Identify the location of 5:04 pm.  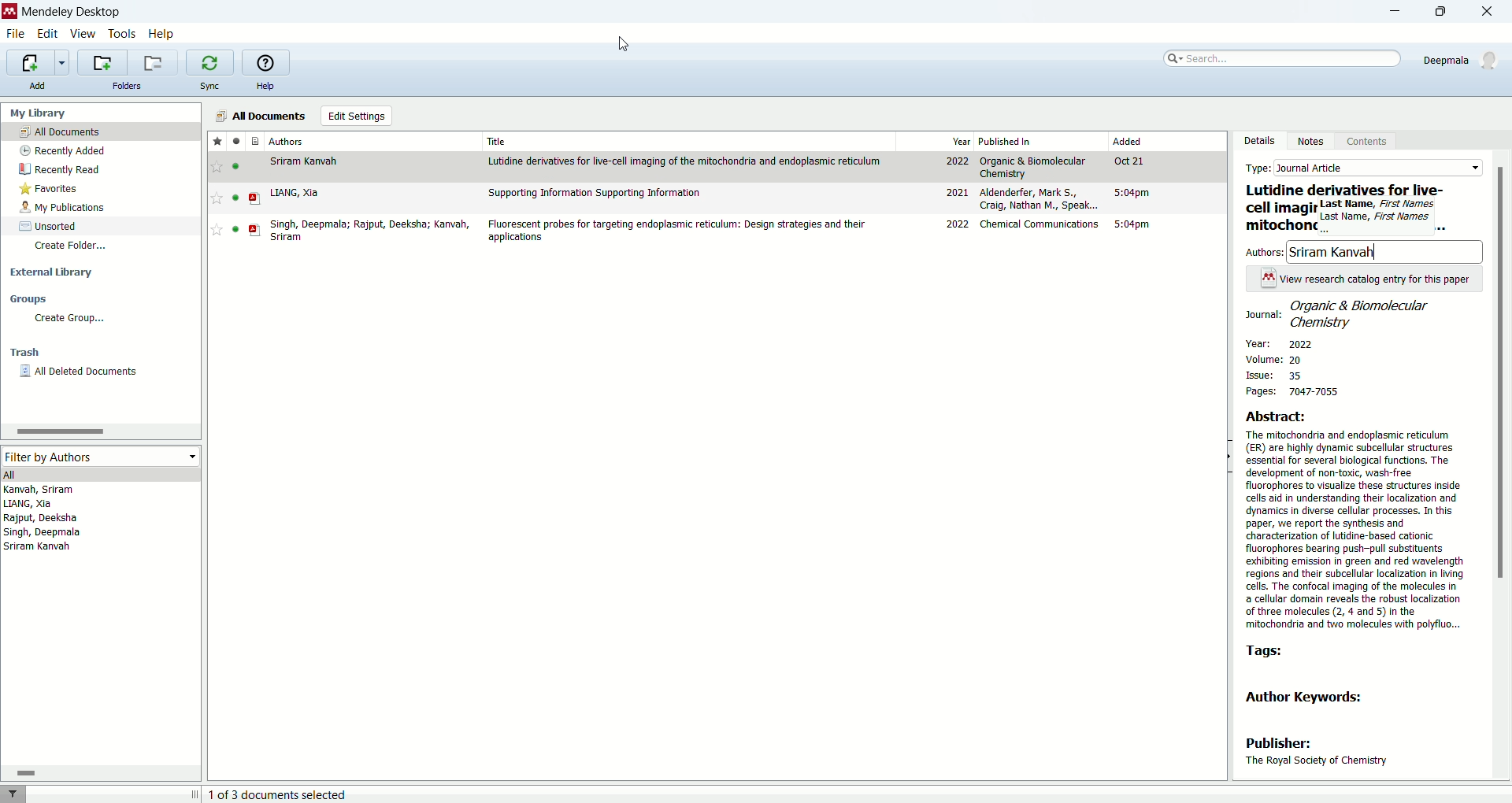
(1137, 225).